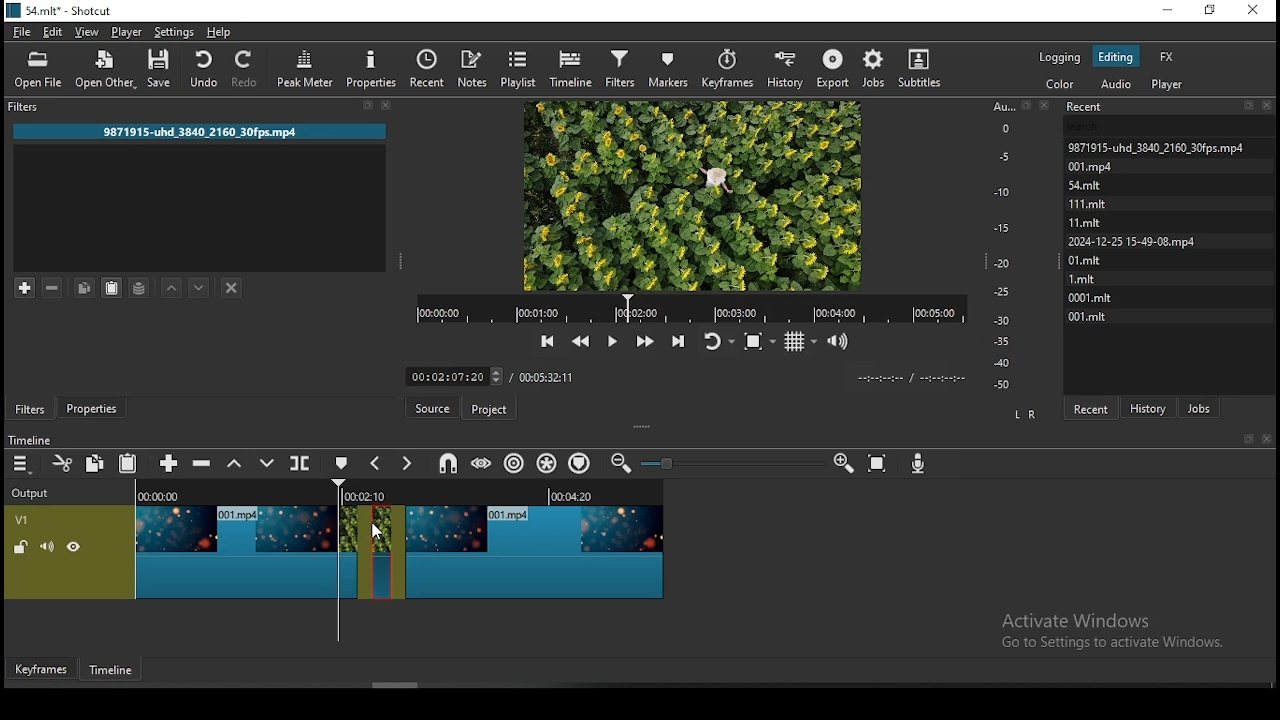  Describe the element at coordinates (834, 68) in the screenshot. I see `export` at that location.